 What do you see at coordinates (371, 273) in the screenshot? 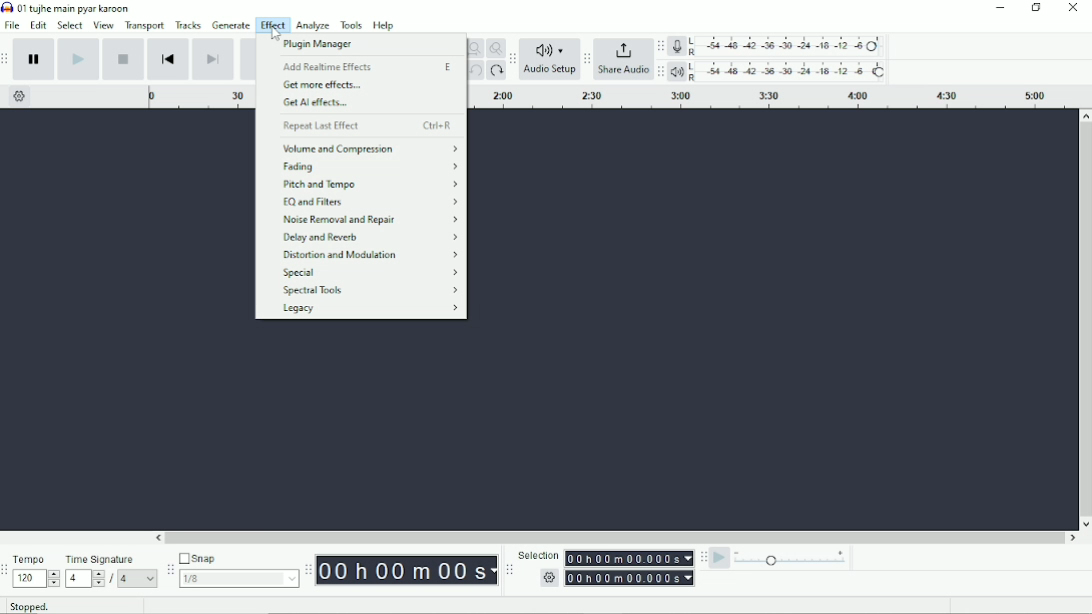
I see `Special` at bounding box center [371, 273].